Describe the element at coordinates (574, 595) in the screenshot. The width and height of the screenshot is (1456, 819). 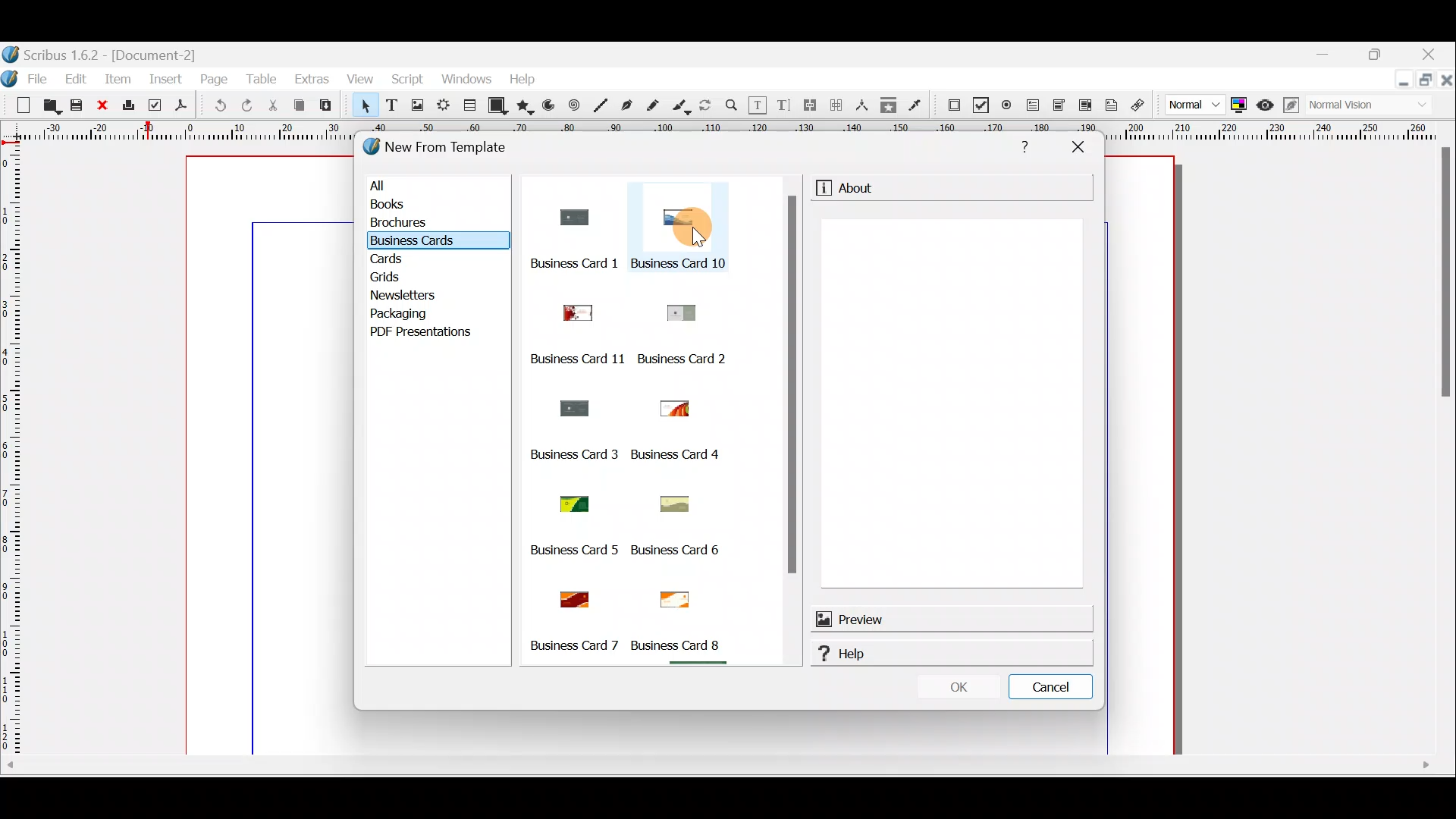
I see `Business card image` at that location.